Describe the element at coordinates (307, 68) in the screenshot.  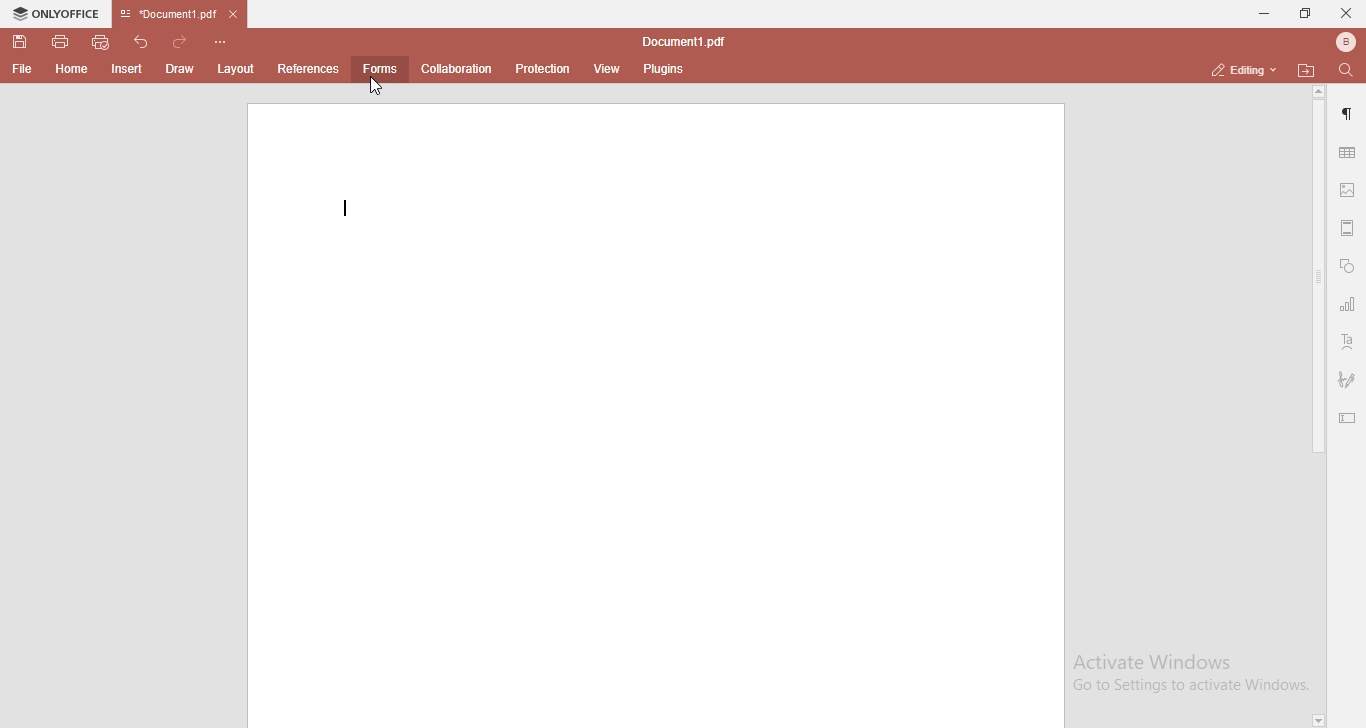
I see `references` at that location.